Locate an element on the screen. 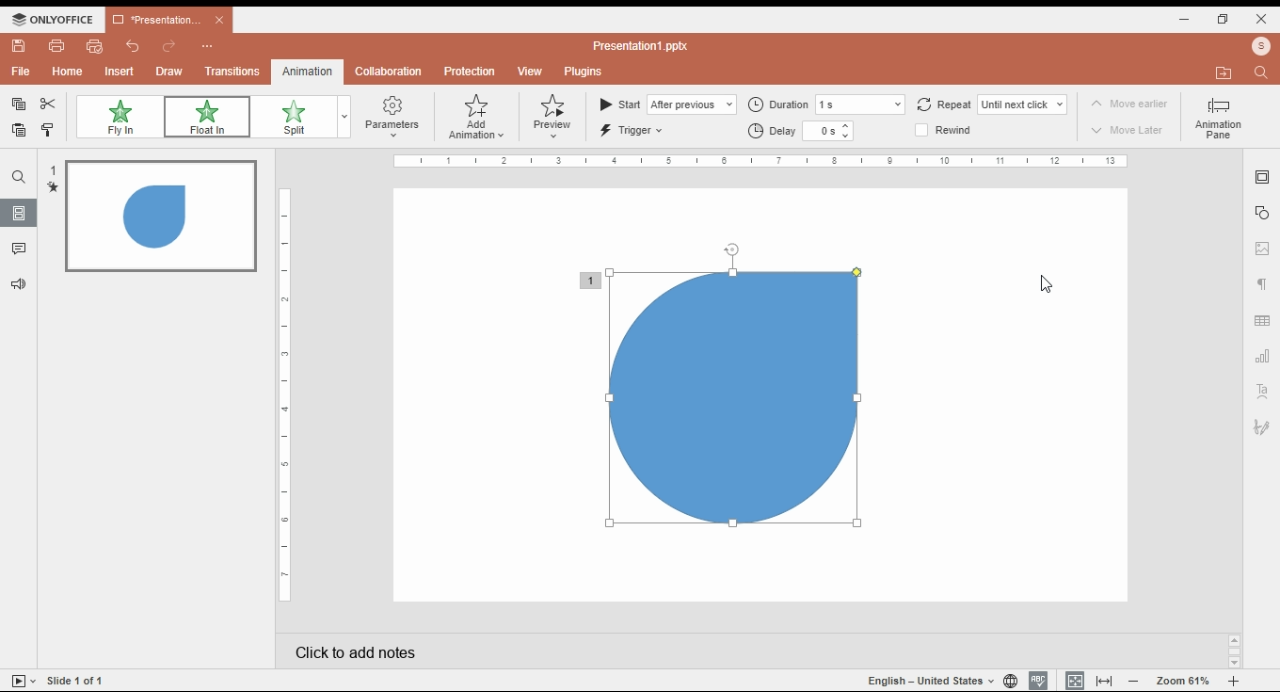  print file is located at coordinates (58, 46).